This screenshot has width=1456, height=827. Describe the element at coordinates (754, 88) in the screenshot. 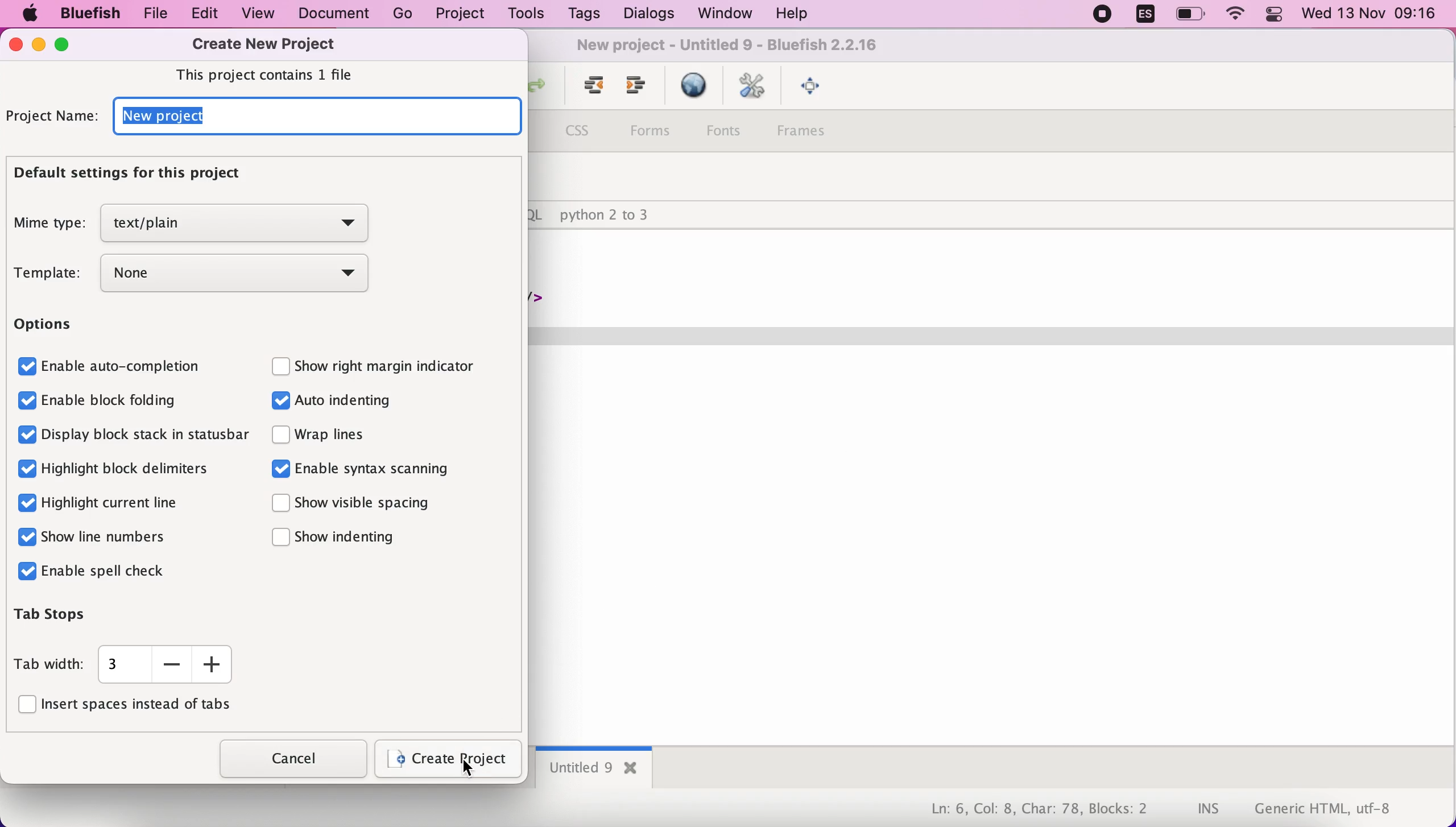

I see `edit preferences` at that location.